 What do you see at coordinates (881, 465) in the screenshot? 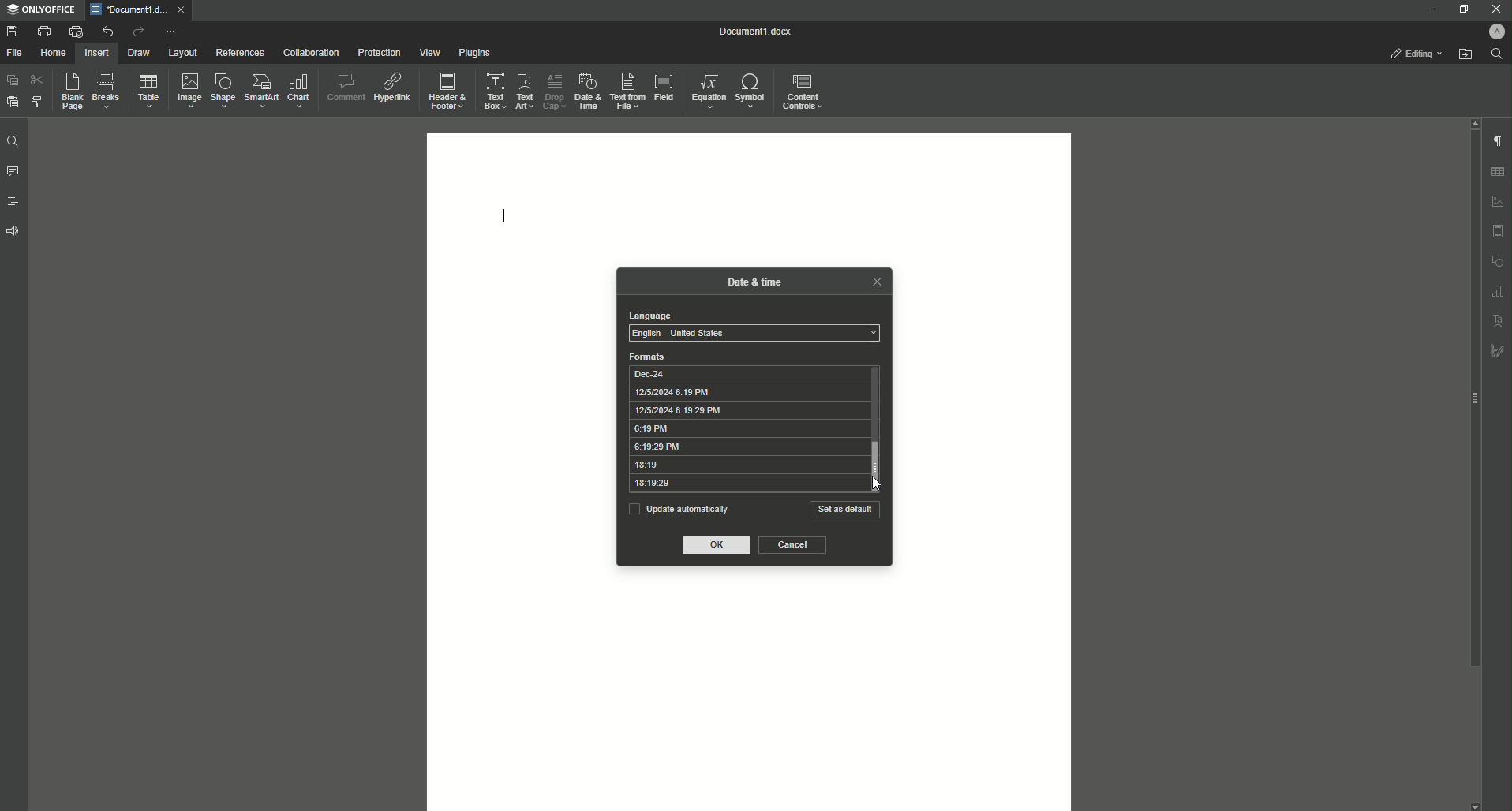
I see `vertical scrollbar` at bounding box center [881, 465].